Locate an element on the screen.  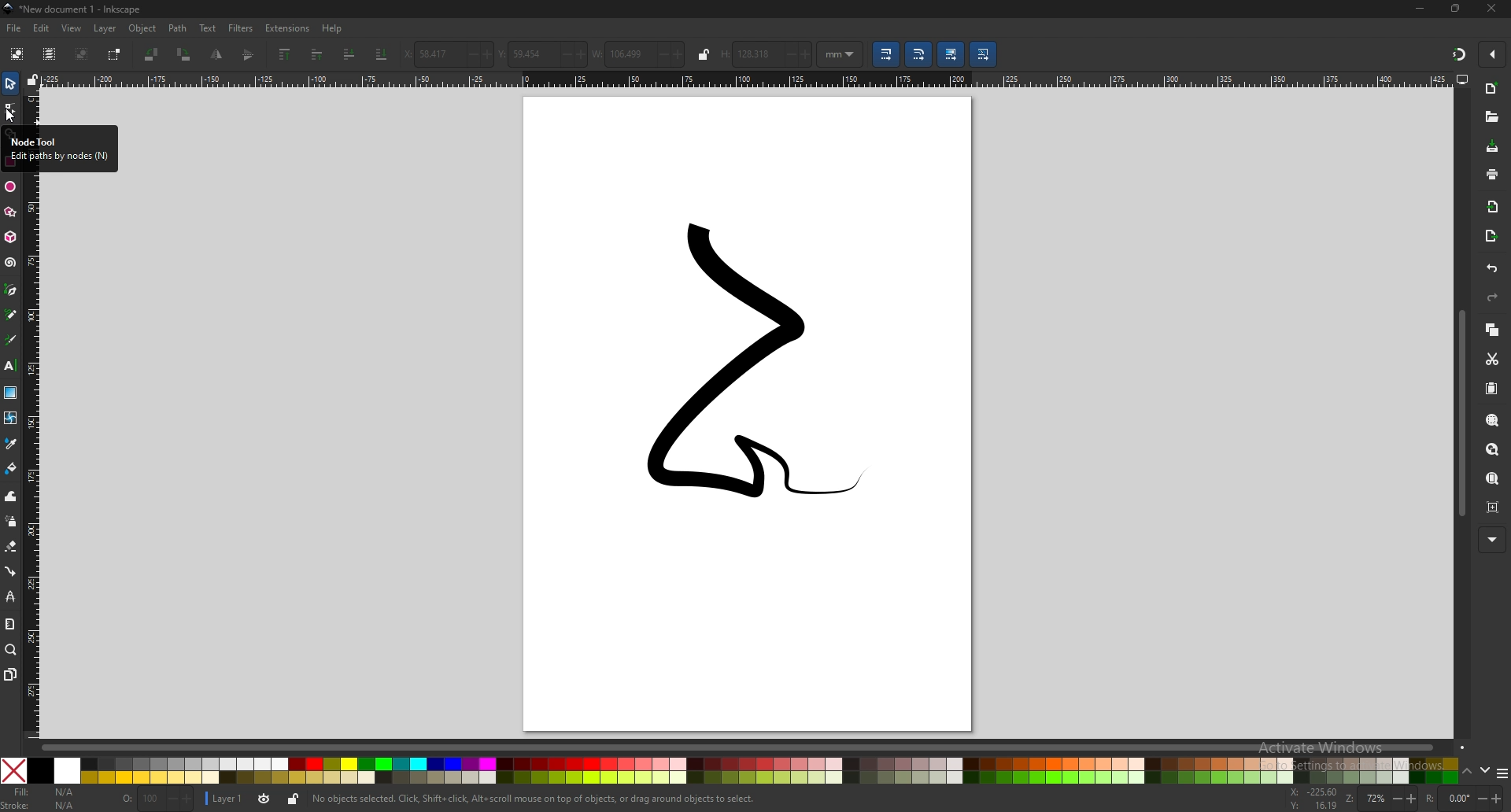
minimize is located at coordinates (1420, 9).